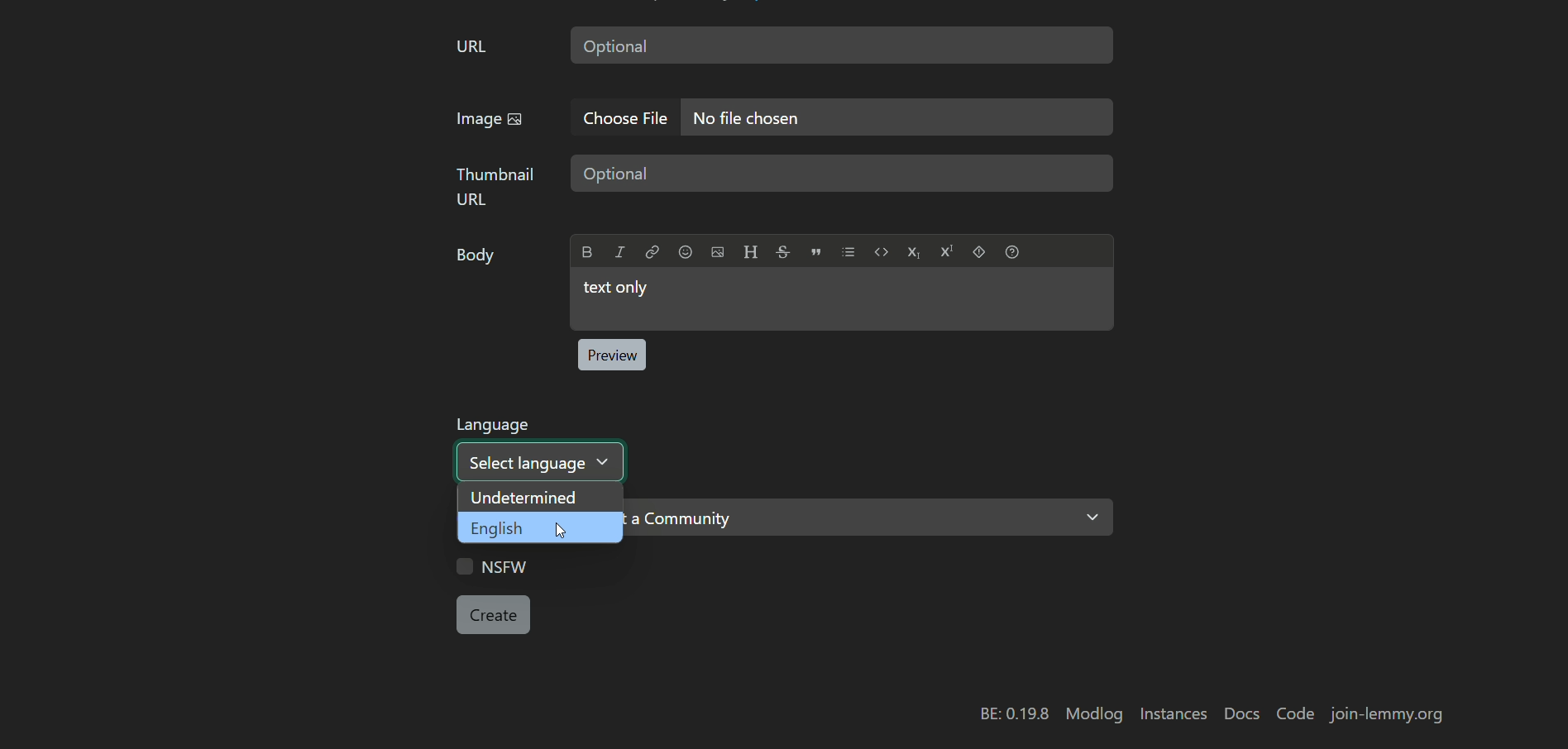 The image size is (1568, 749). I want to click on BE: 0.19.8, so click(1015, 714).